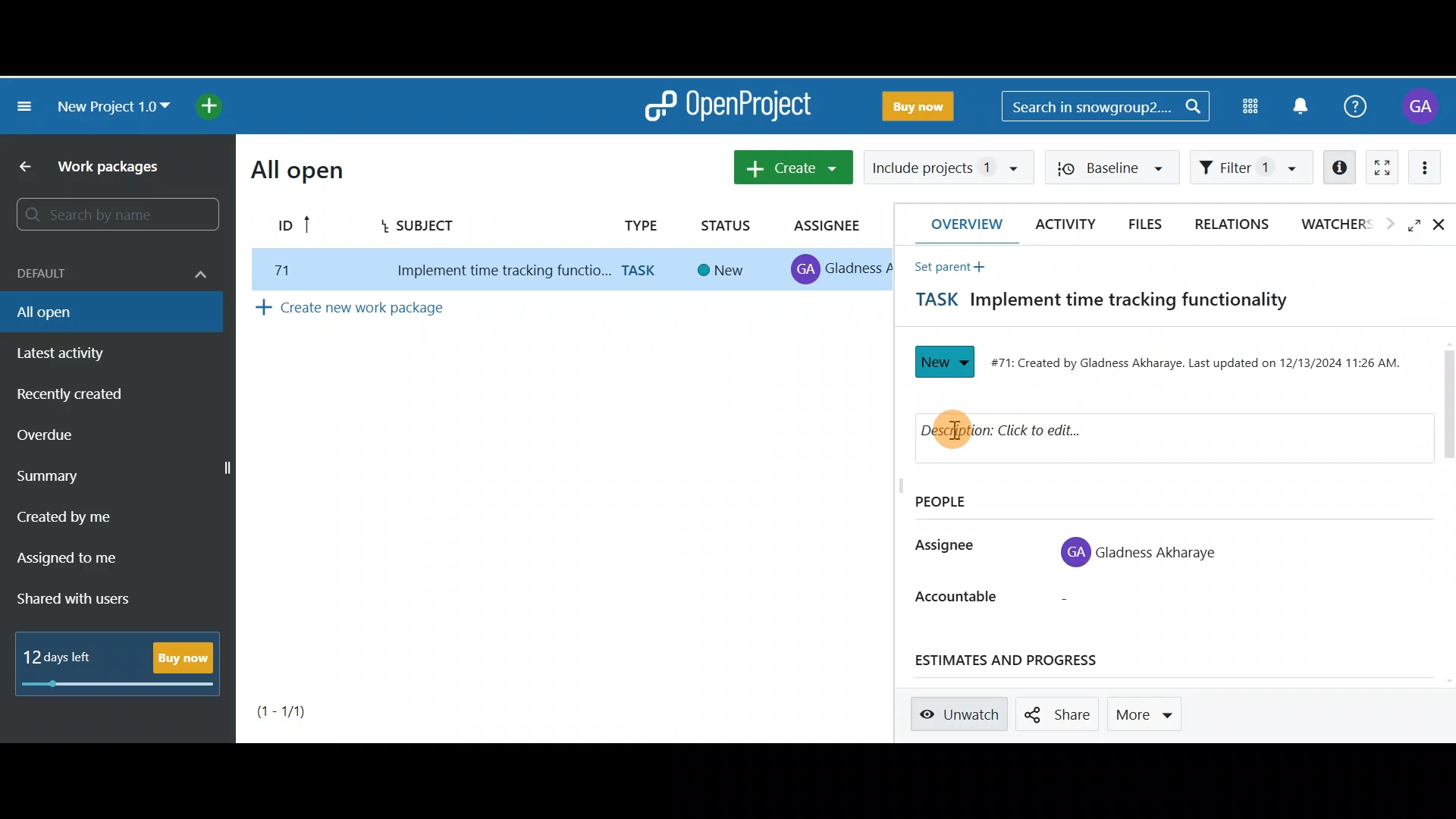 The image size is (1456, 819). Describe the element at coordinates (916, 105) in the screenshot. I see `Buy now` at that location.